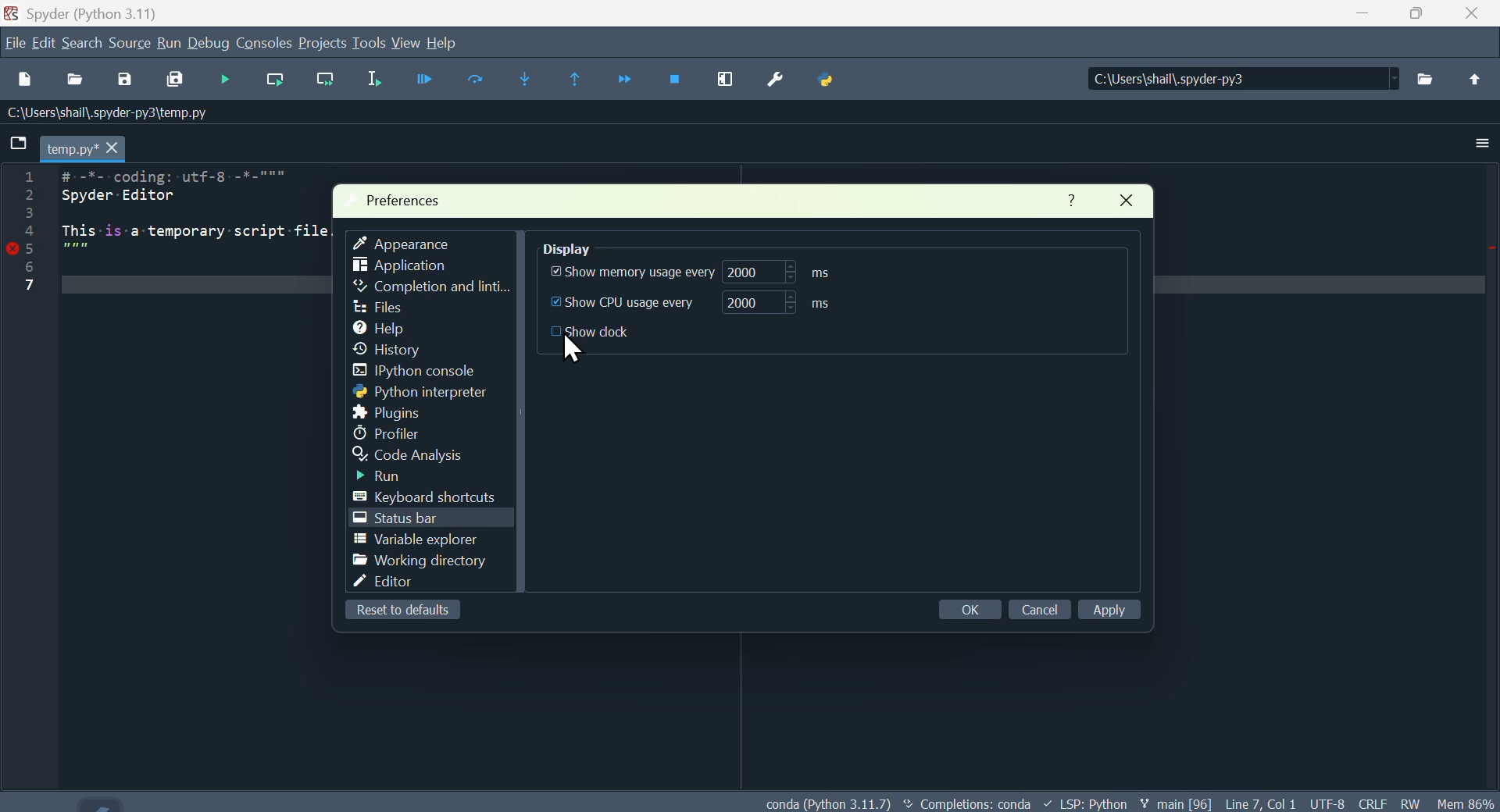  Describe the element at coordinates (31, 79) in the screenshot. I see `New file` at that location.